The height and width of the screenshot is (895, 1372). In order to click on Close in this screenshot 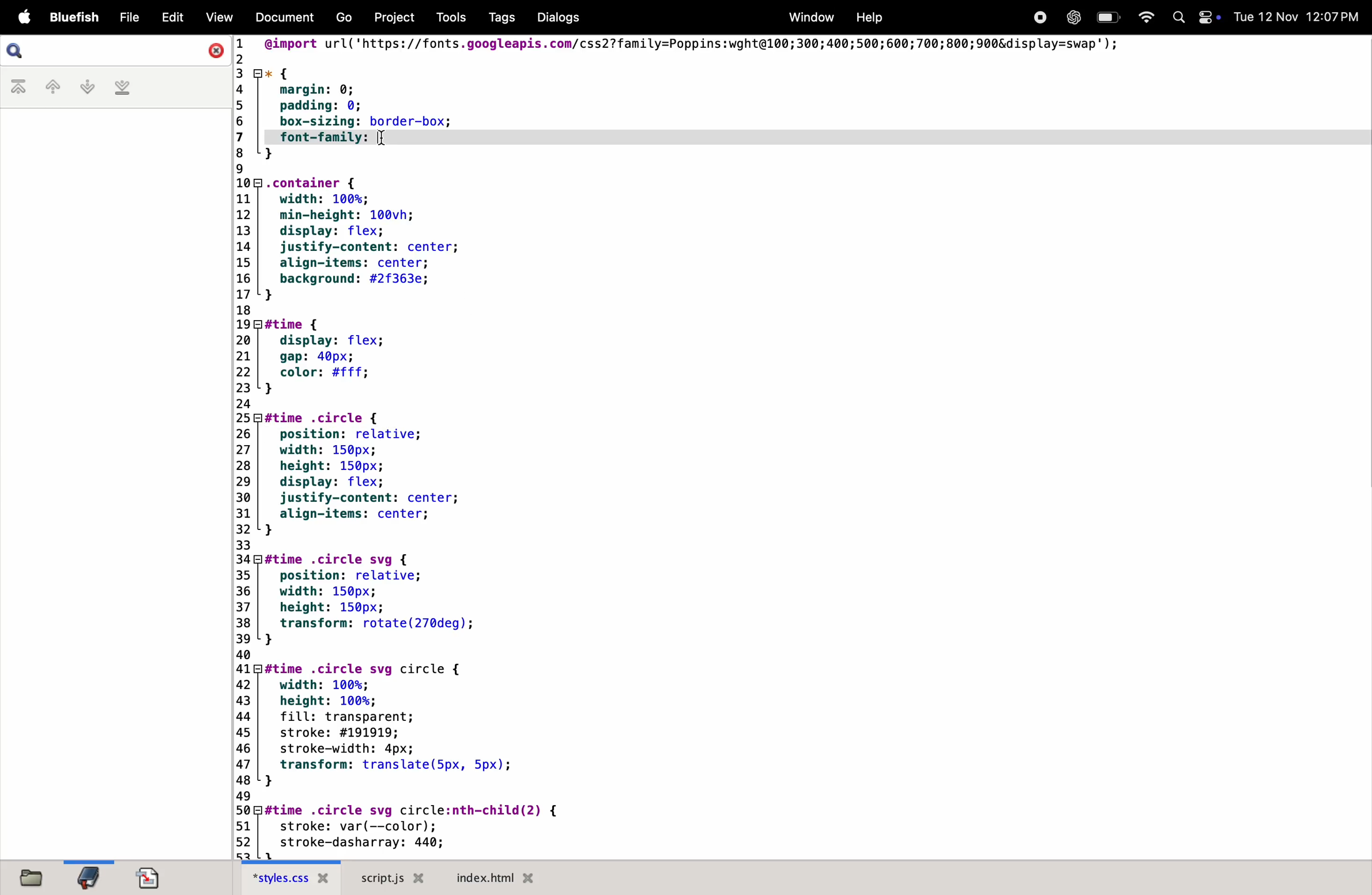, I will do `click(213, 50)`.